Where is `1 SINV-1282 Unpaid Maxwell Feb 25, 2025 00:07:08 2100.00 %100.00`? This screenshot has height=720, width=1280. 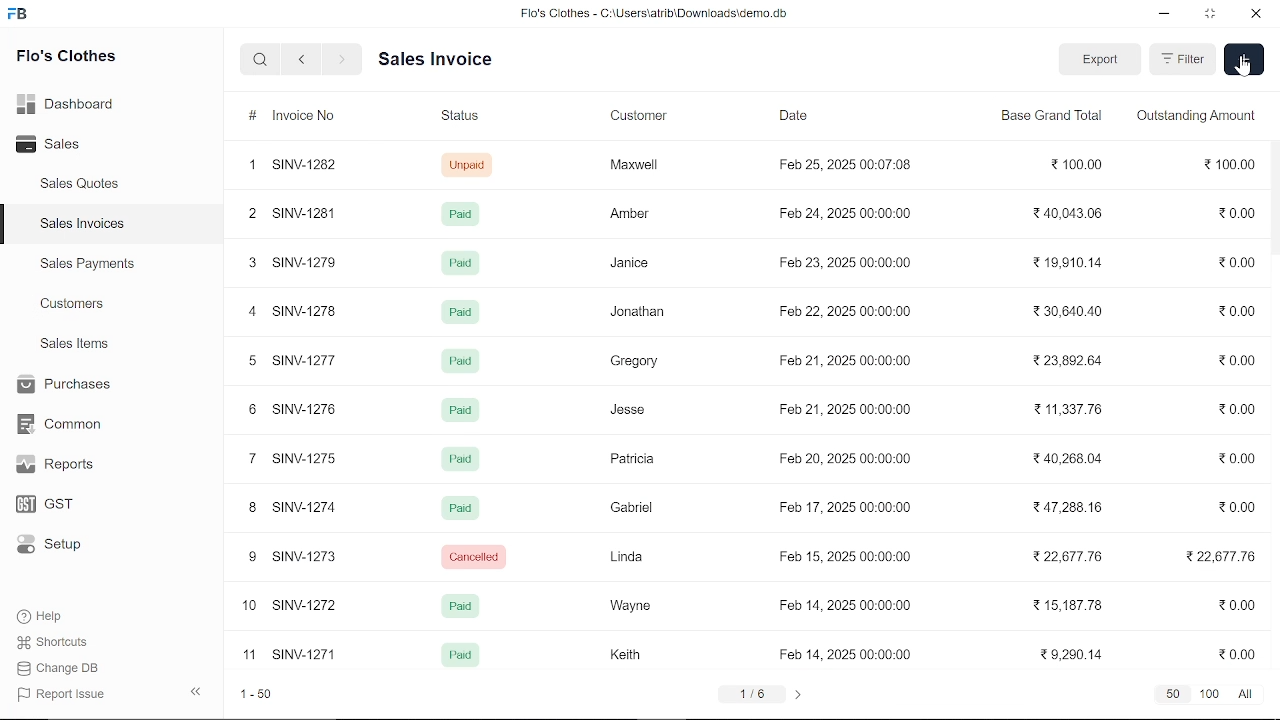
1 SINV-1282 Unpaid Maxwell Feb 25, 2025 00:07:08 2100.00 %100.00 is located at coordinates (748, 167).